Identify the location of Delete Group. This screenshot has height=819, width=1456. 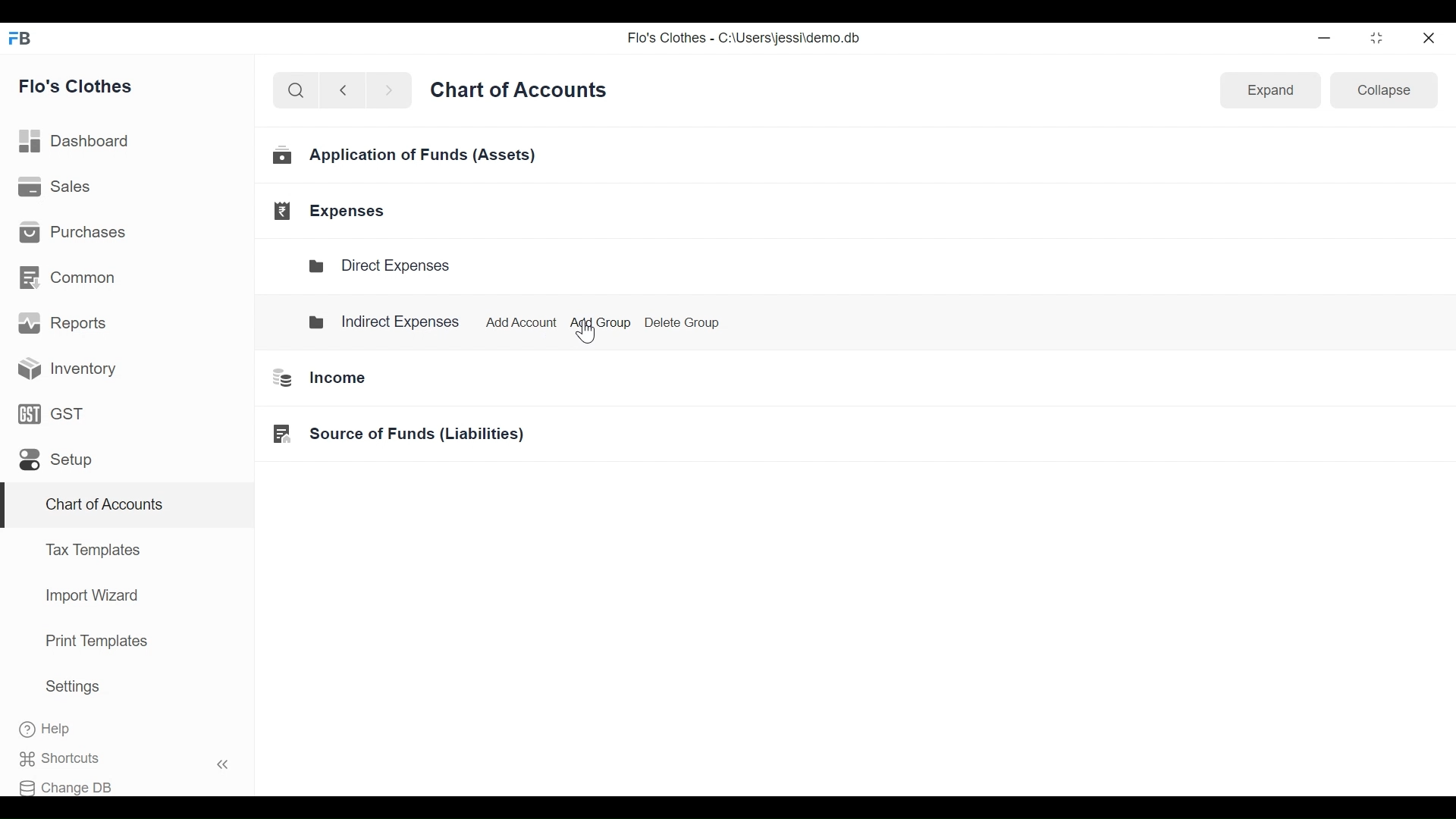
(682, 322).